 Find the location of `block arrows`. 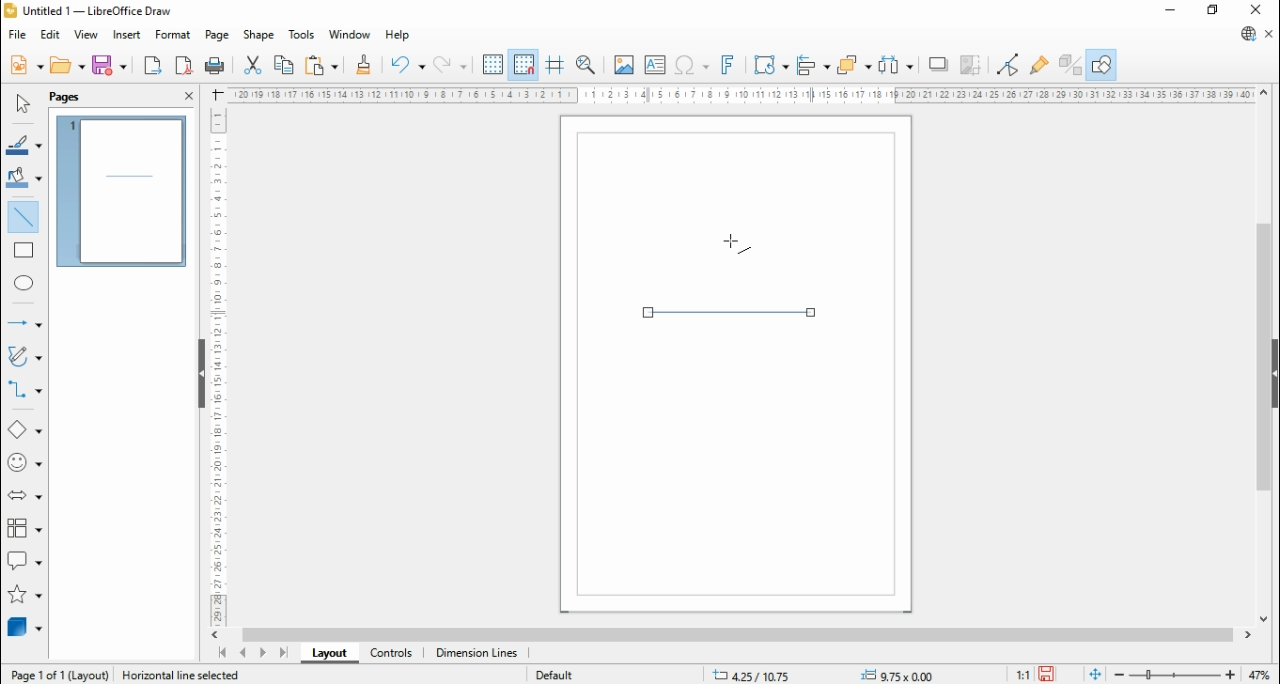

block arrows is located at coordinates (24, 496).